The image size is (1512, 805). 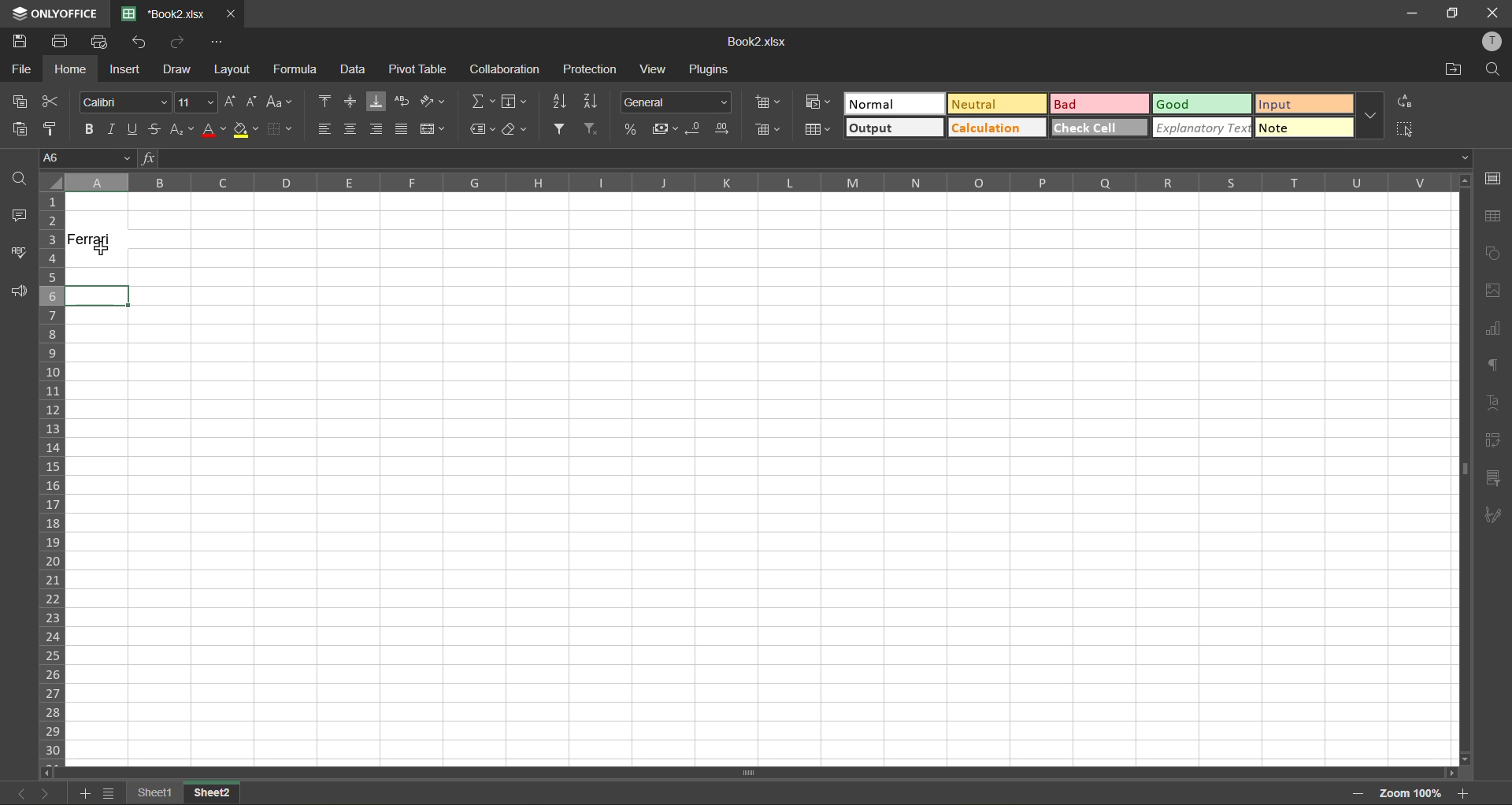 I want to click on bad, so click(x=1097, y=106).